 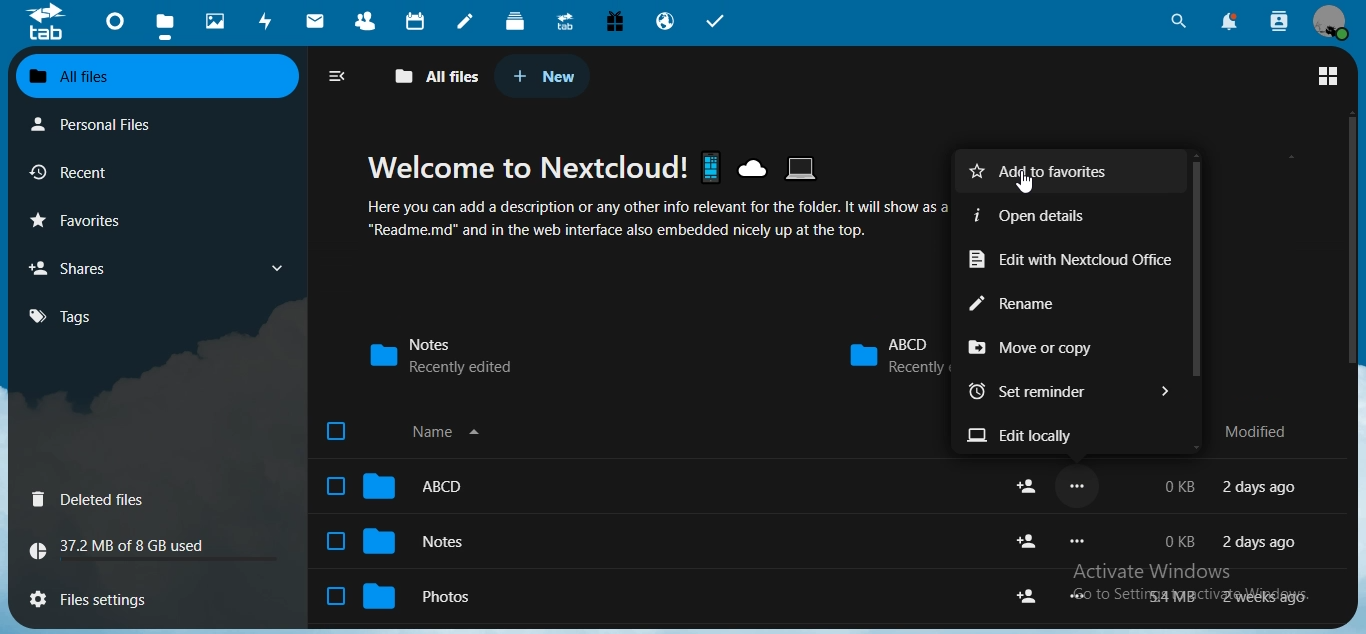 What do you see at coordinates (1036, 349) in the screenshot?
I see `move or copy` at bounding box center [1036, 349].